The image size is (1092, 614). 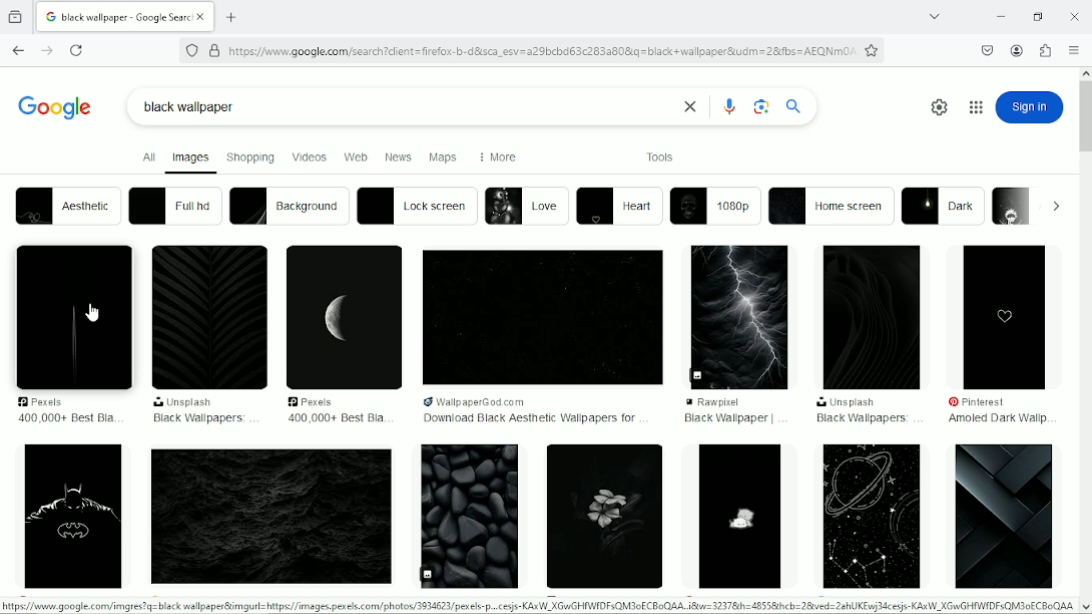 What do you see at coordinates (738, 516) in the screenshot?
I see `black wallpaper image` at bounding box center [738, 516].